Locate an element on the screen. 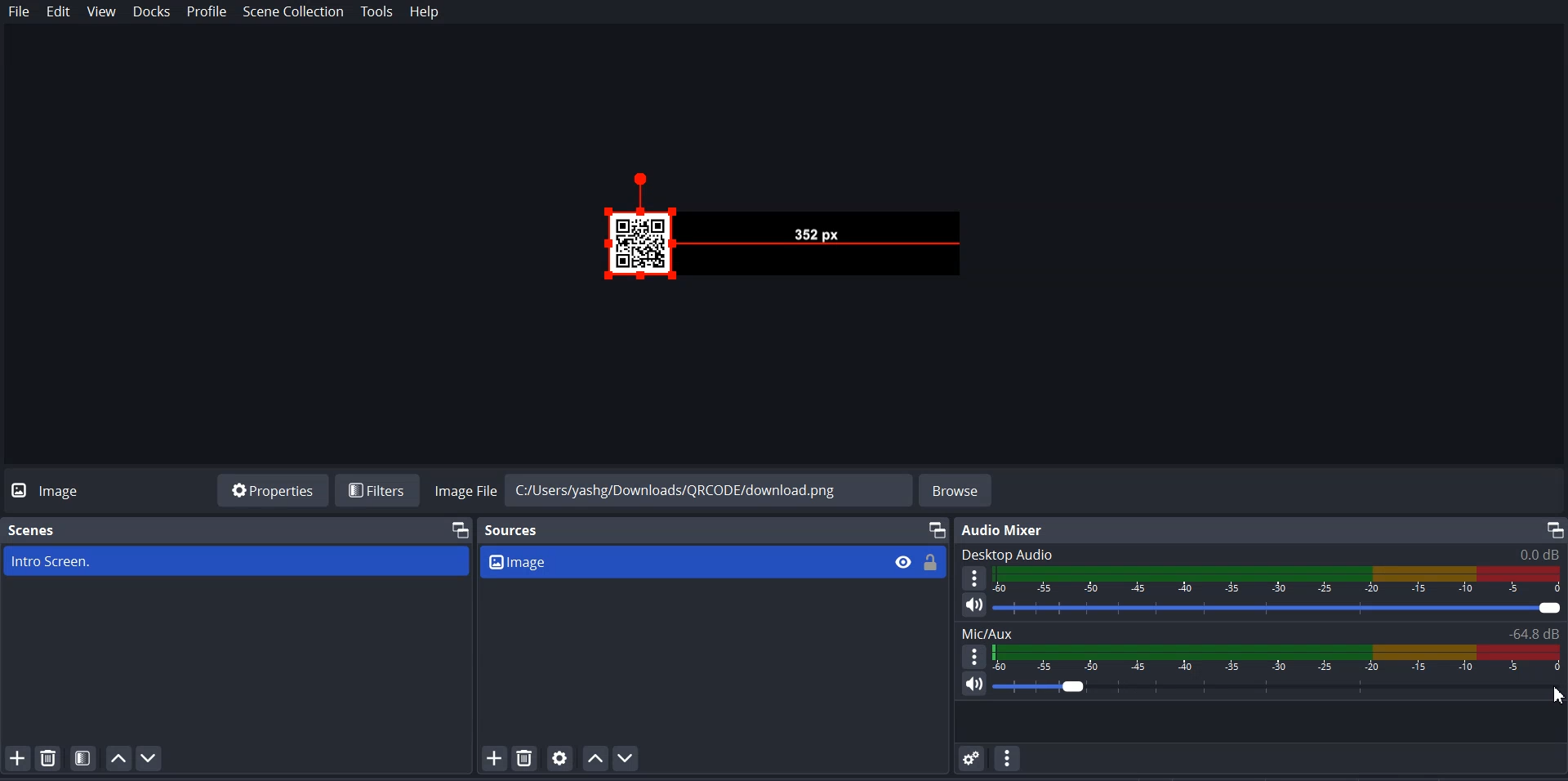  Move Source up is located at coordinates (594, 757).